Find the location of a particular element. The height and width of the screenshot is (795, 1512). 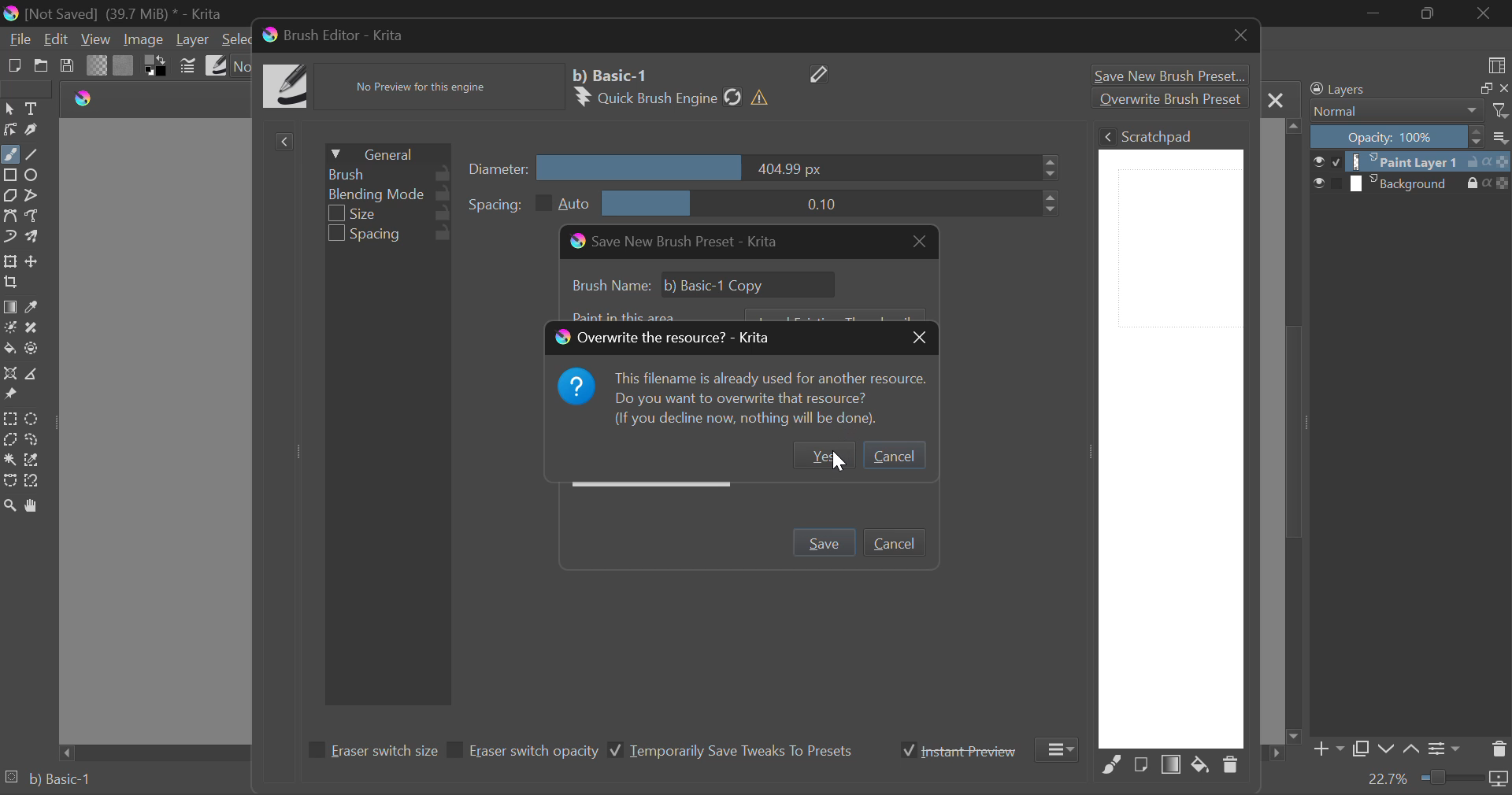

Edit is located at coordinates (57, 39).